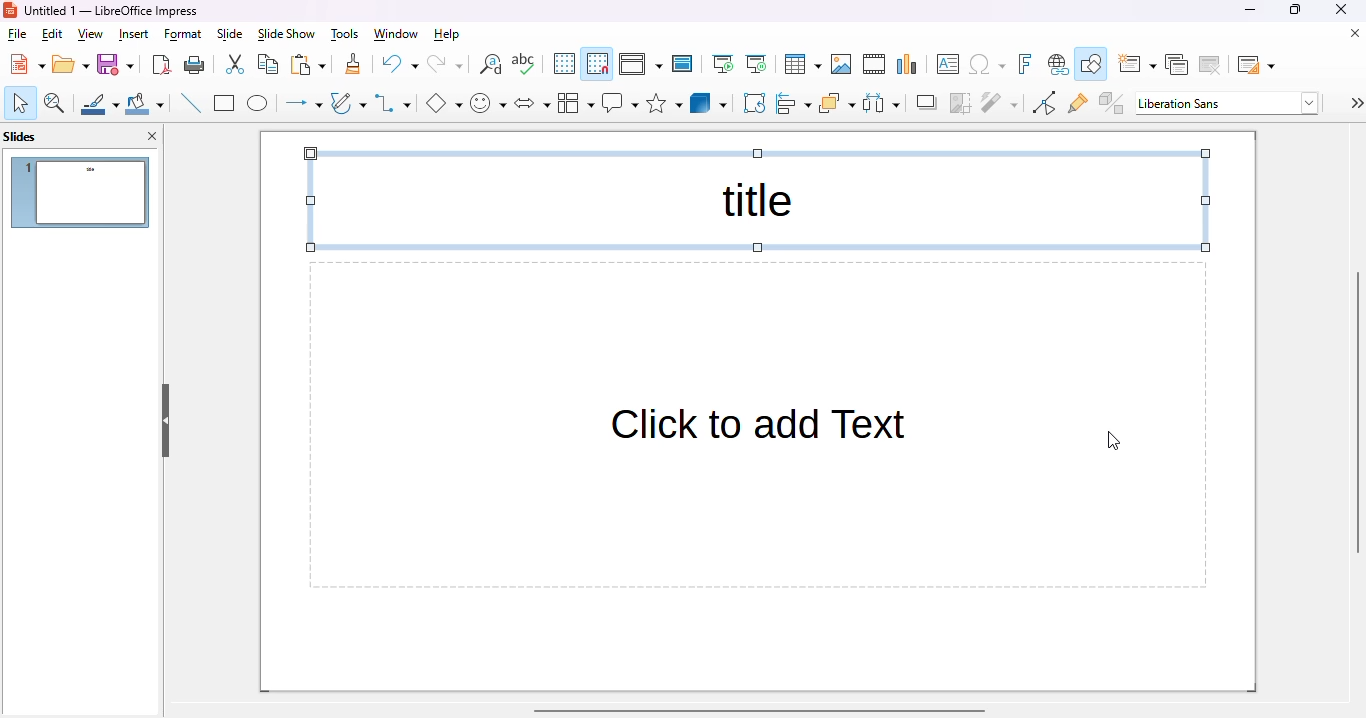 The height and width of the screenshot is (718, 1366). I want to click on horizontal scroll bar, so click(760, 710).